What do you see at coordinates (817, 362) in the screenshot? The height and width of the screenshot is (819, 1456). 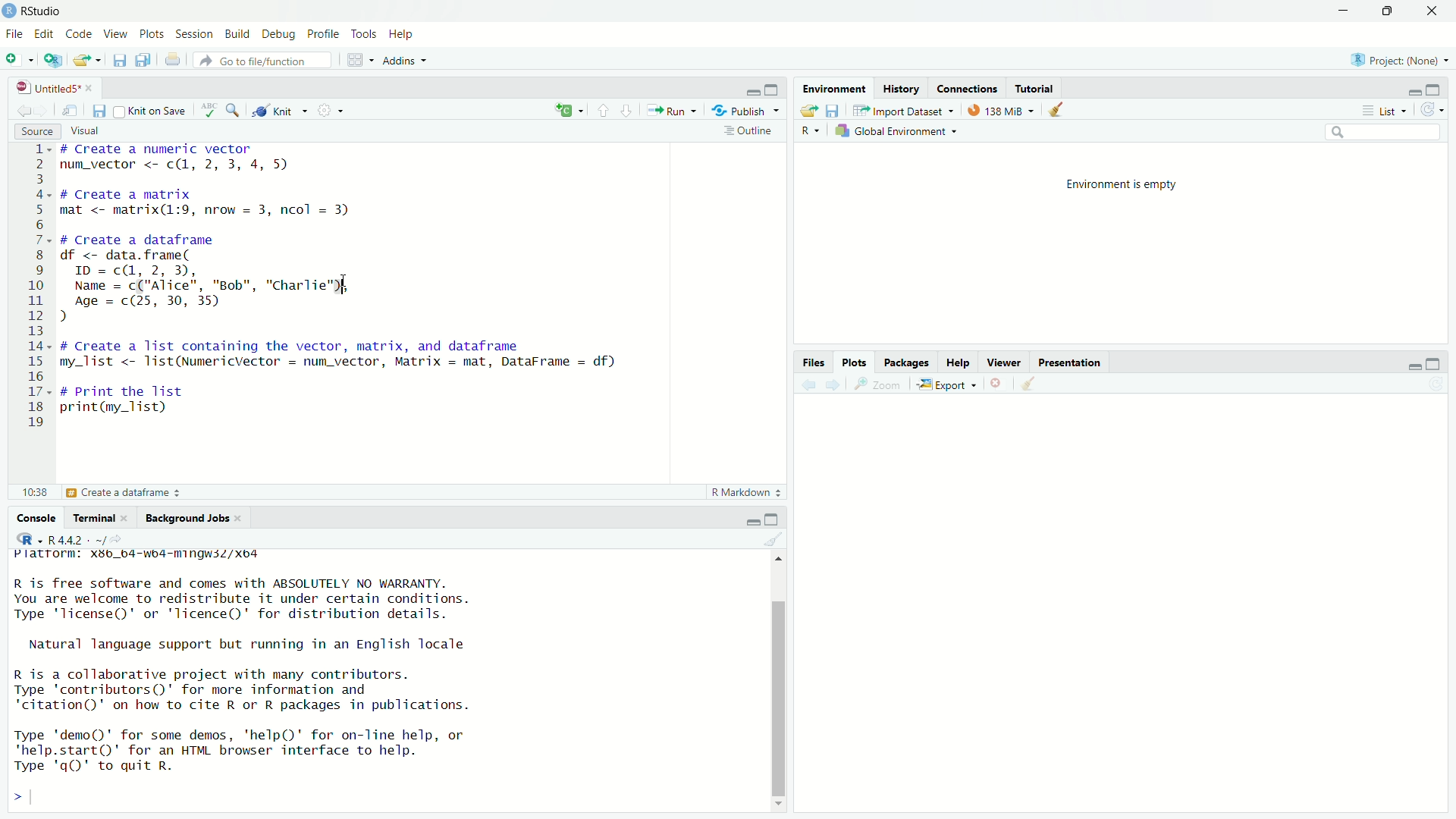 I see `Files` at bounding box center [817, 362].